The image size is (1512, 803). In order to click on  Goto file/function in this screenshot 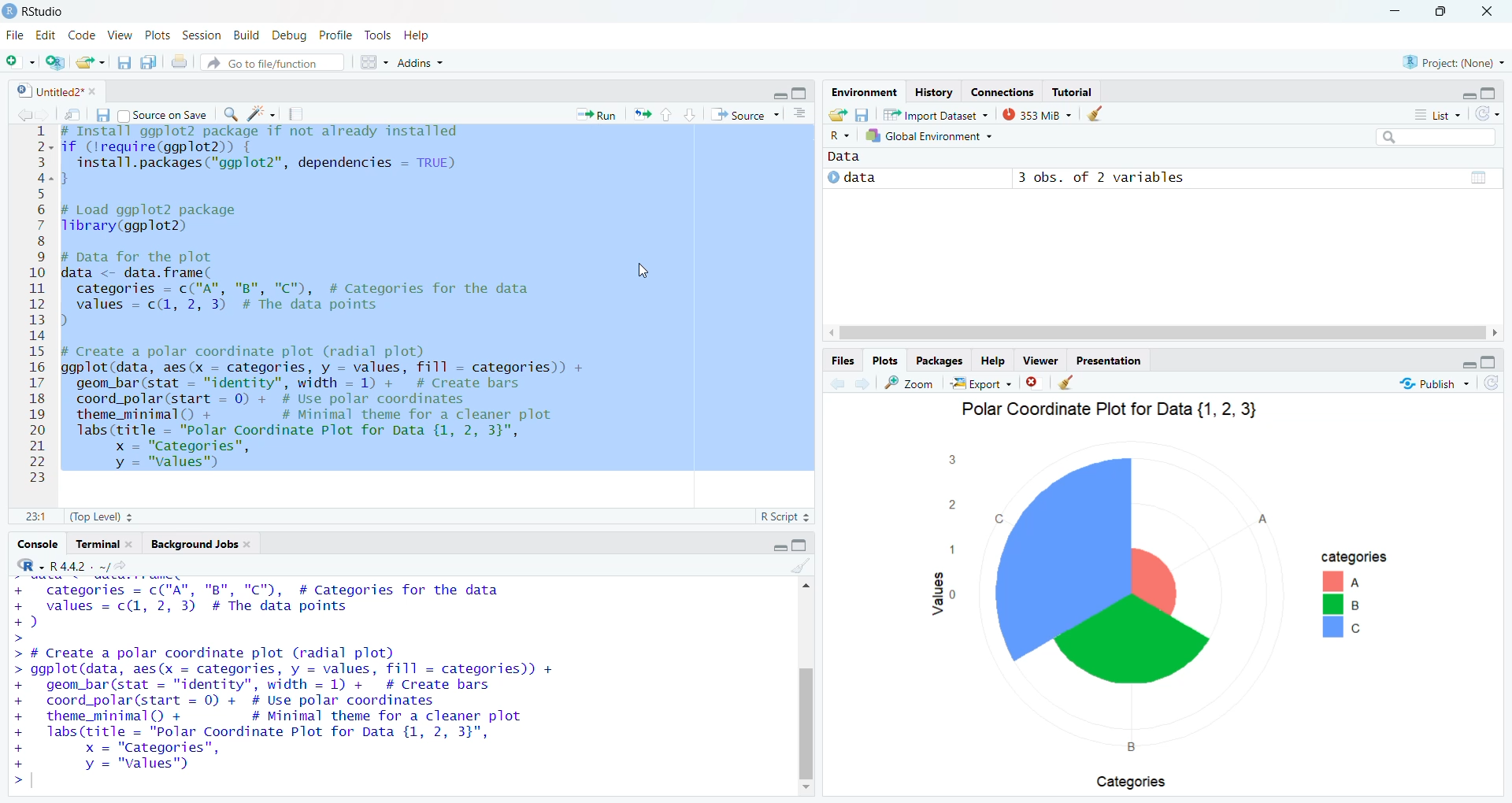, I will do `click(275, 64)`.